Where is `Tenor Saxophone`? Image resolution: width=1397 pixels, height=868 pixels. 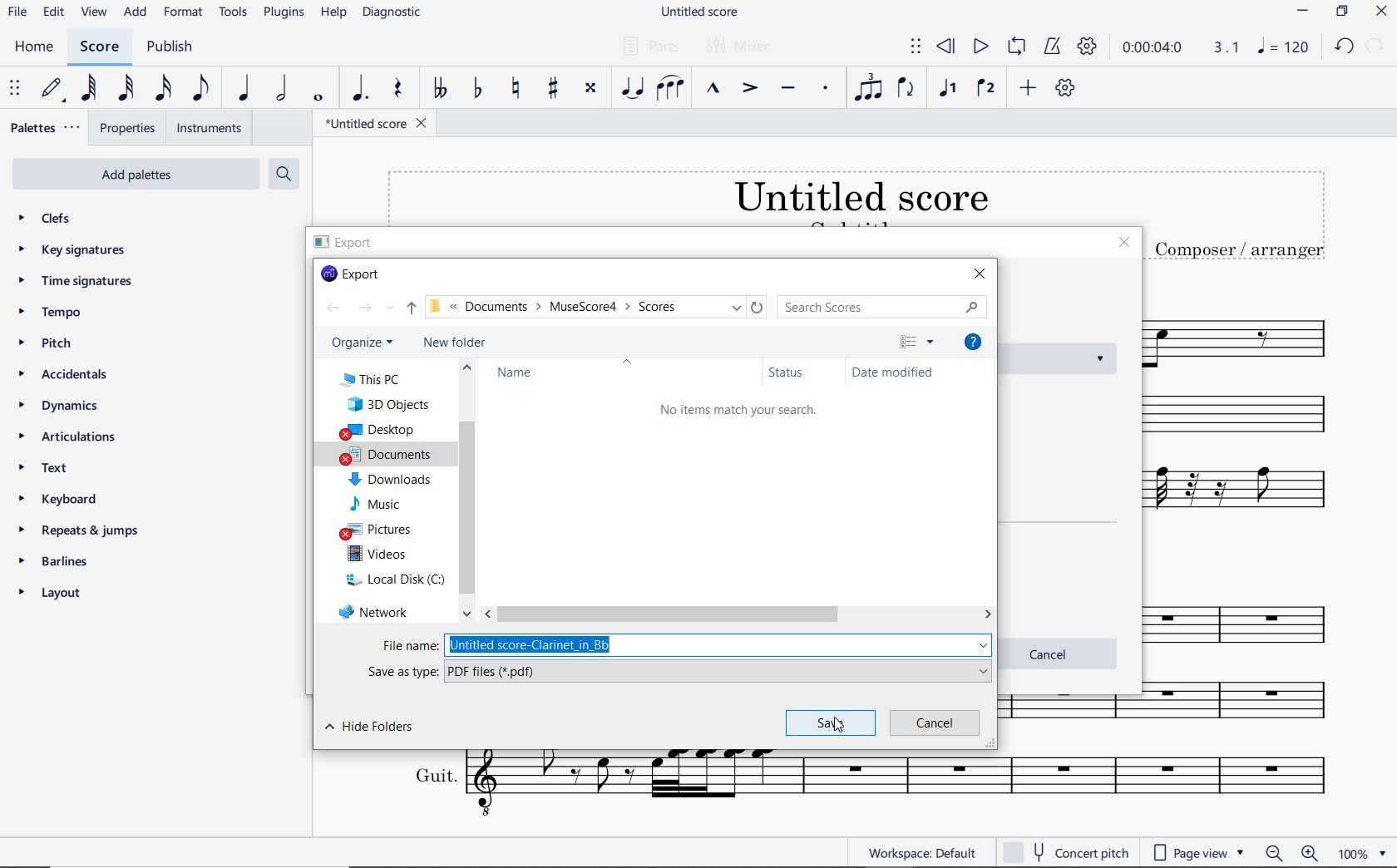 Tenor Saxophone is located at coordinates (1244, 334).